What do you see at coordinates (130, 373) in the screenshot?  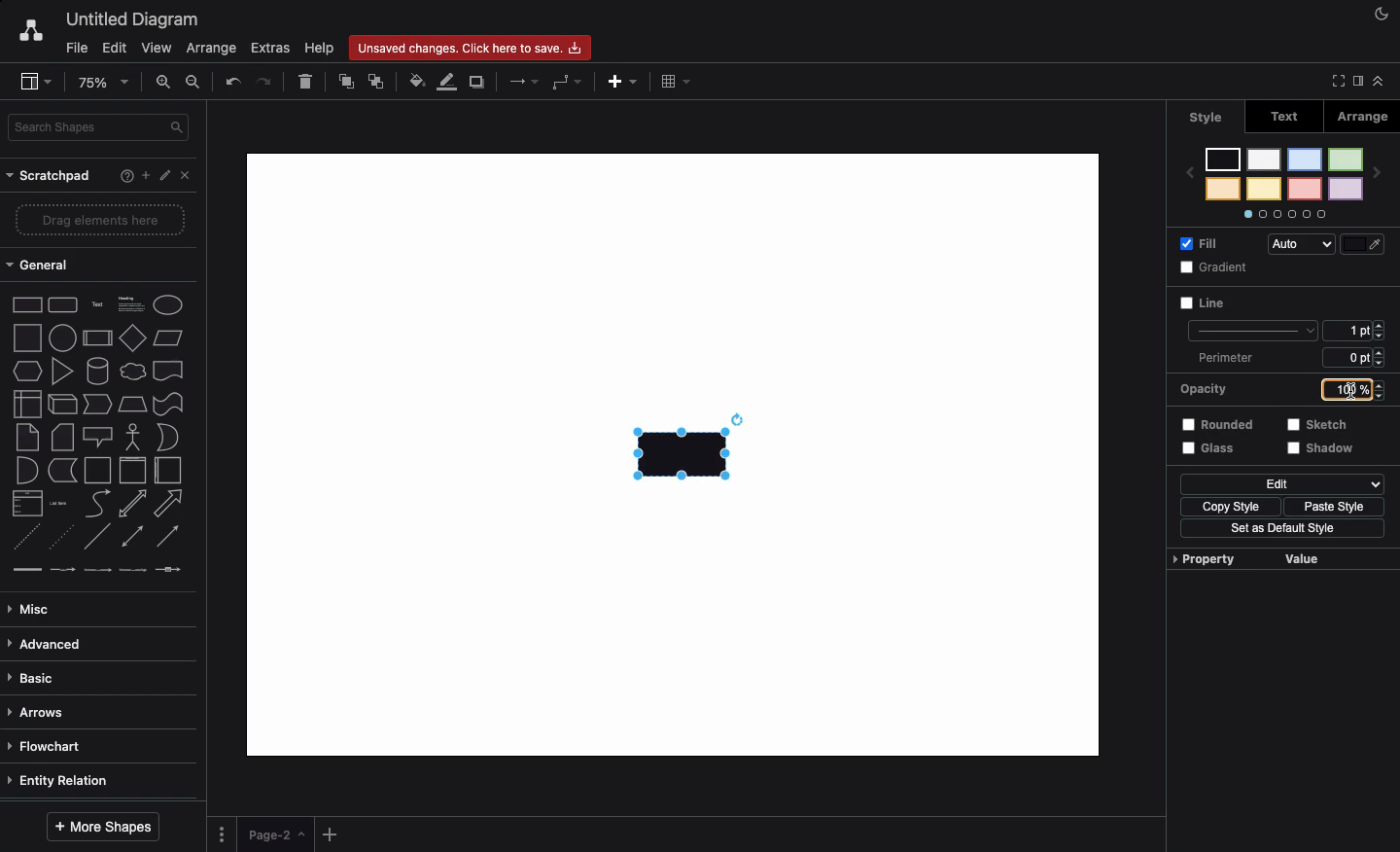 I see `cloud` at bounding box center [130, 373].